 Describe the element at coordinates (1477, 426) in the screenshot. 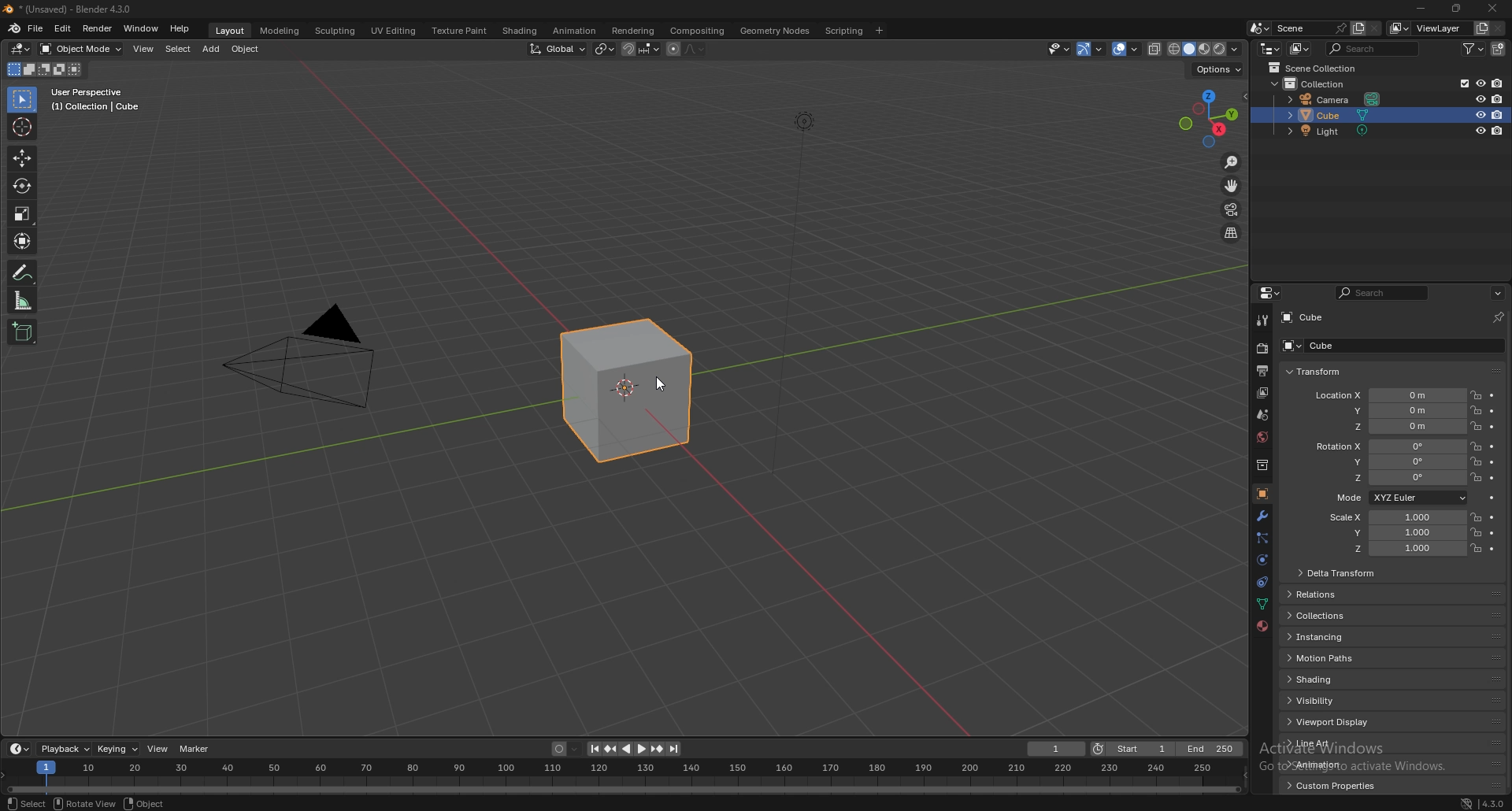

I see `lock location` at that location.